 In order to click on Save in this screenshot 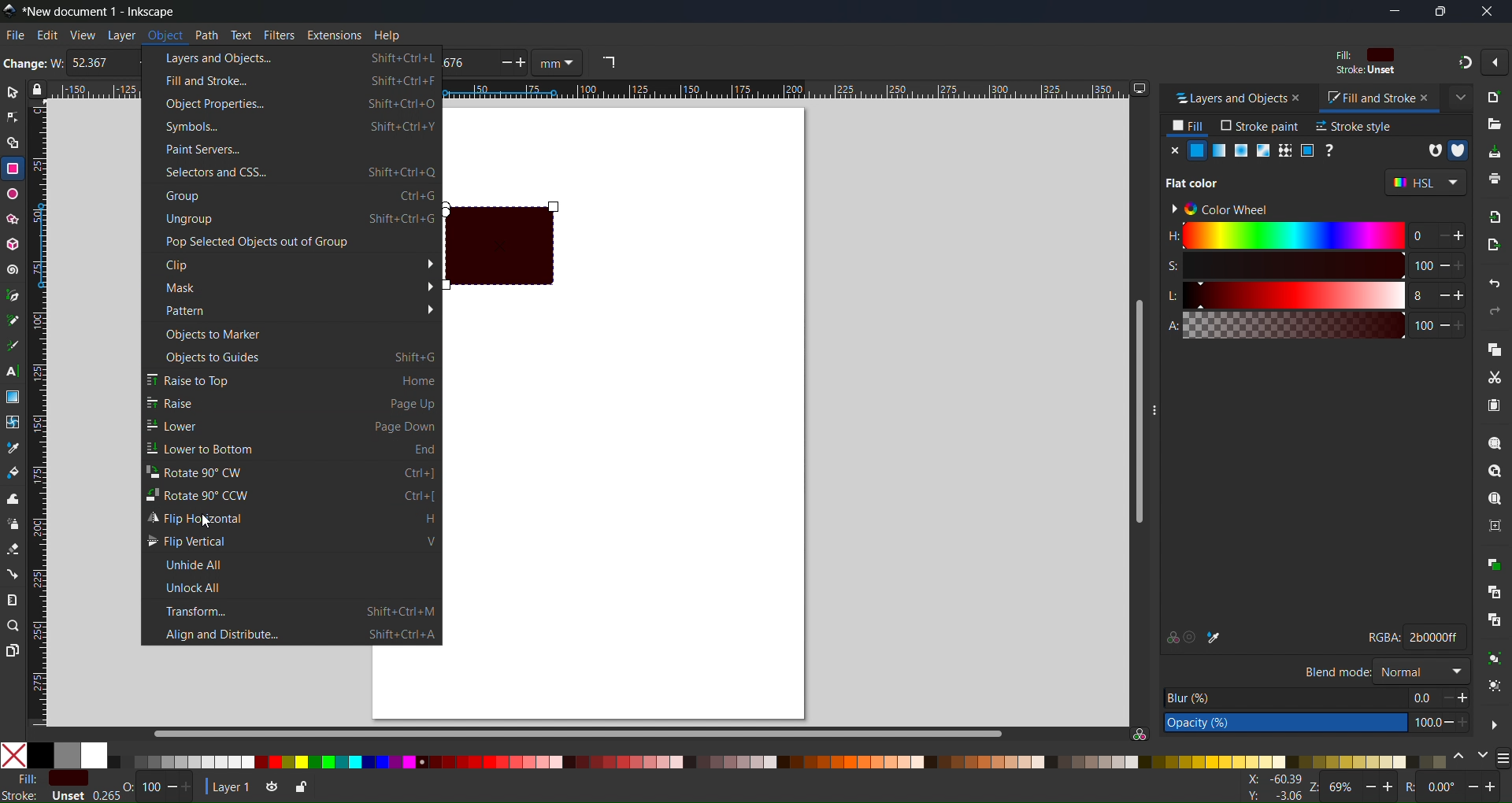, I will do `click(1493, 151)`.